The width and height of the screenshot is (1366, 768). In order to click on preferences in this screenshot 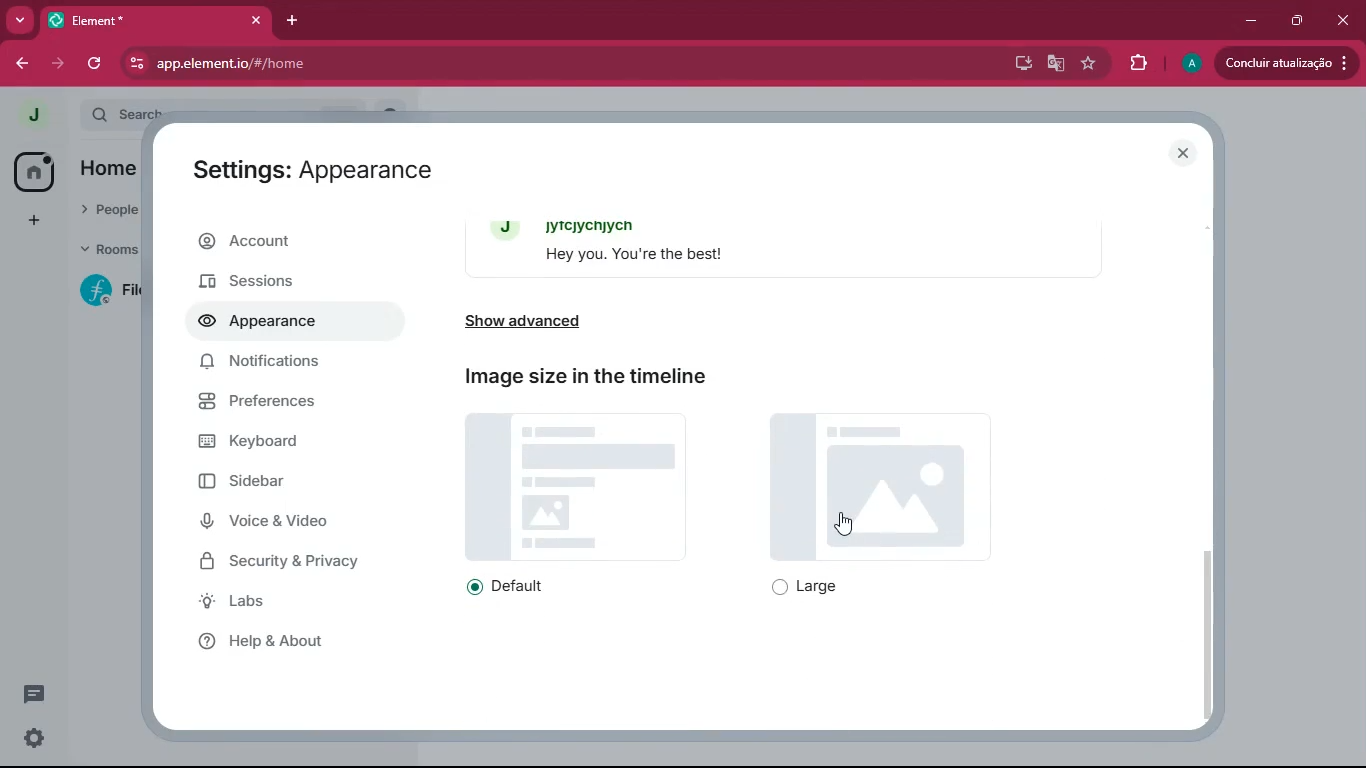, I will do `click(279, 408)`.